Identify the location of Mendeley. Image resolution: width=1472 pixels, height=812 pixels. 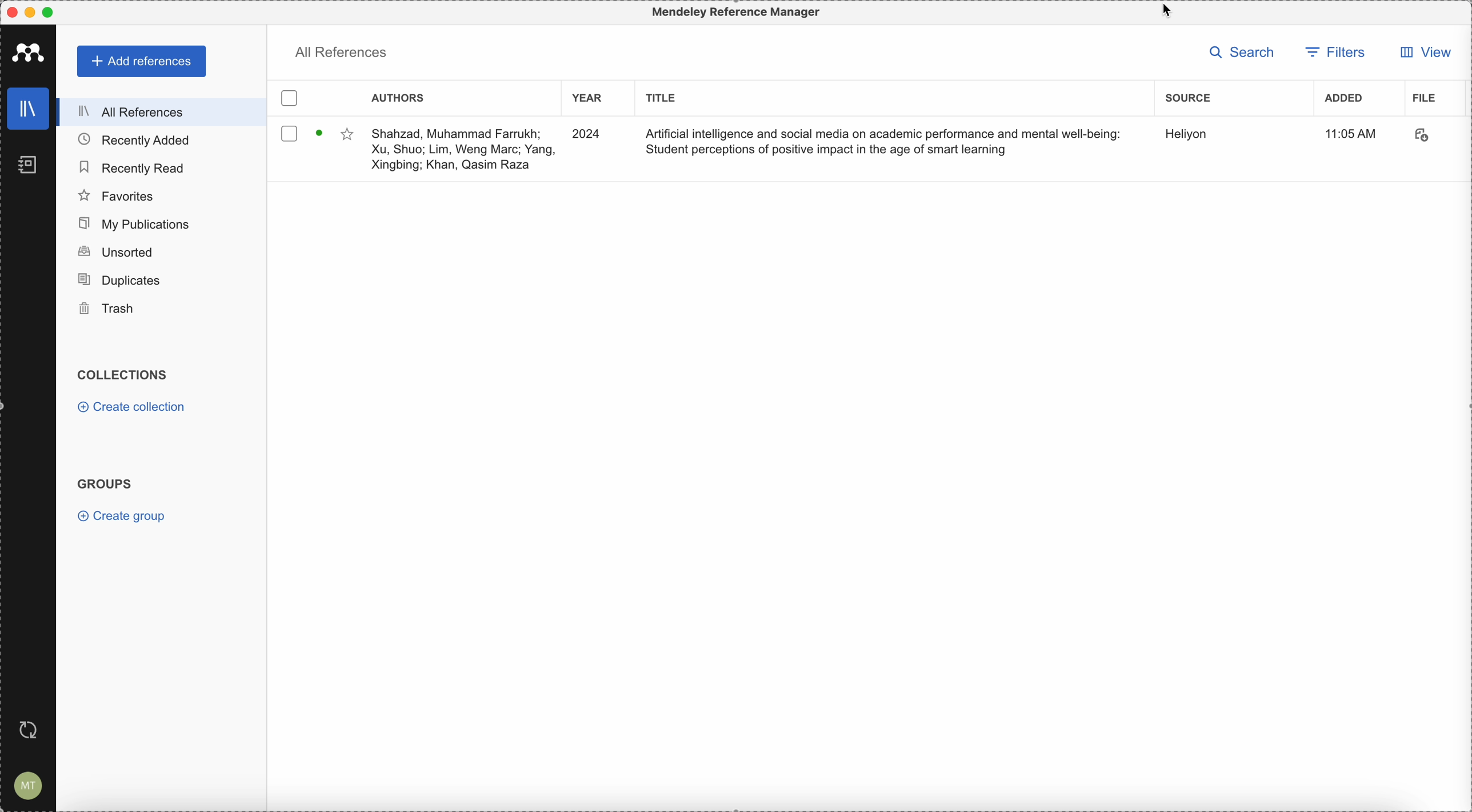
(733, 11).